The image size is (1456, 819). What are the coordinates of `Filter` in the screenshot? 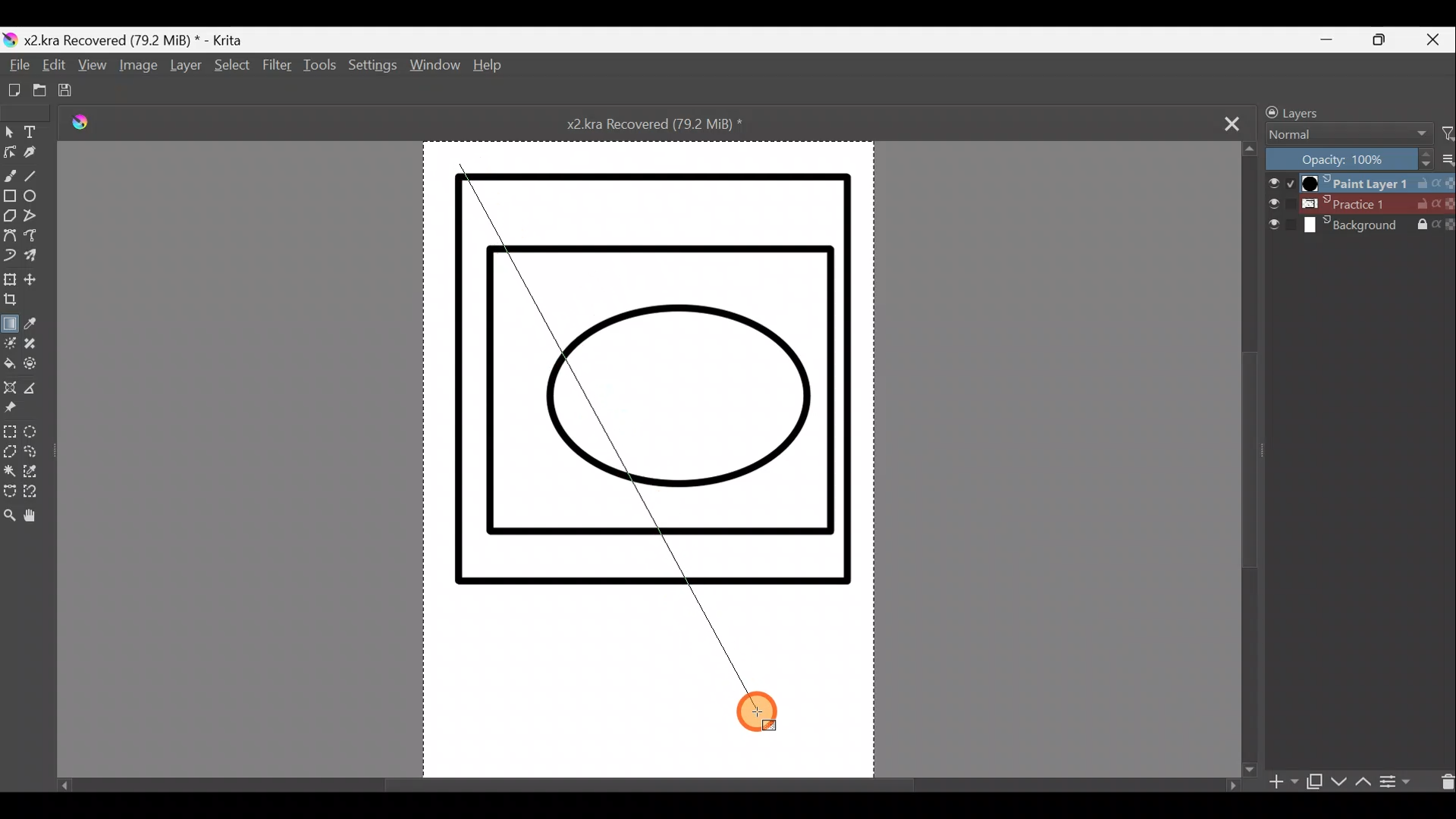 It's located at (277, 73).